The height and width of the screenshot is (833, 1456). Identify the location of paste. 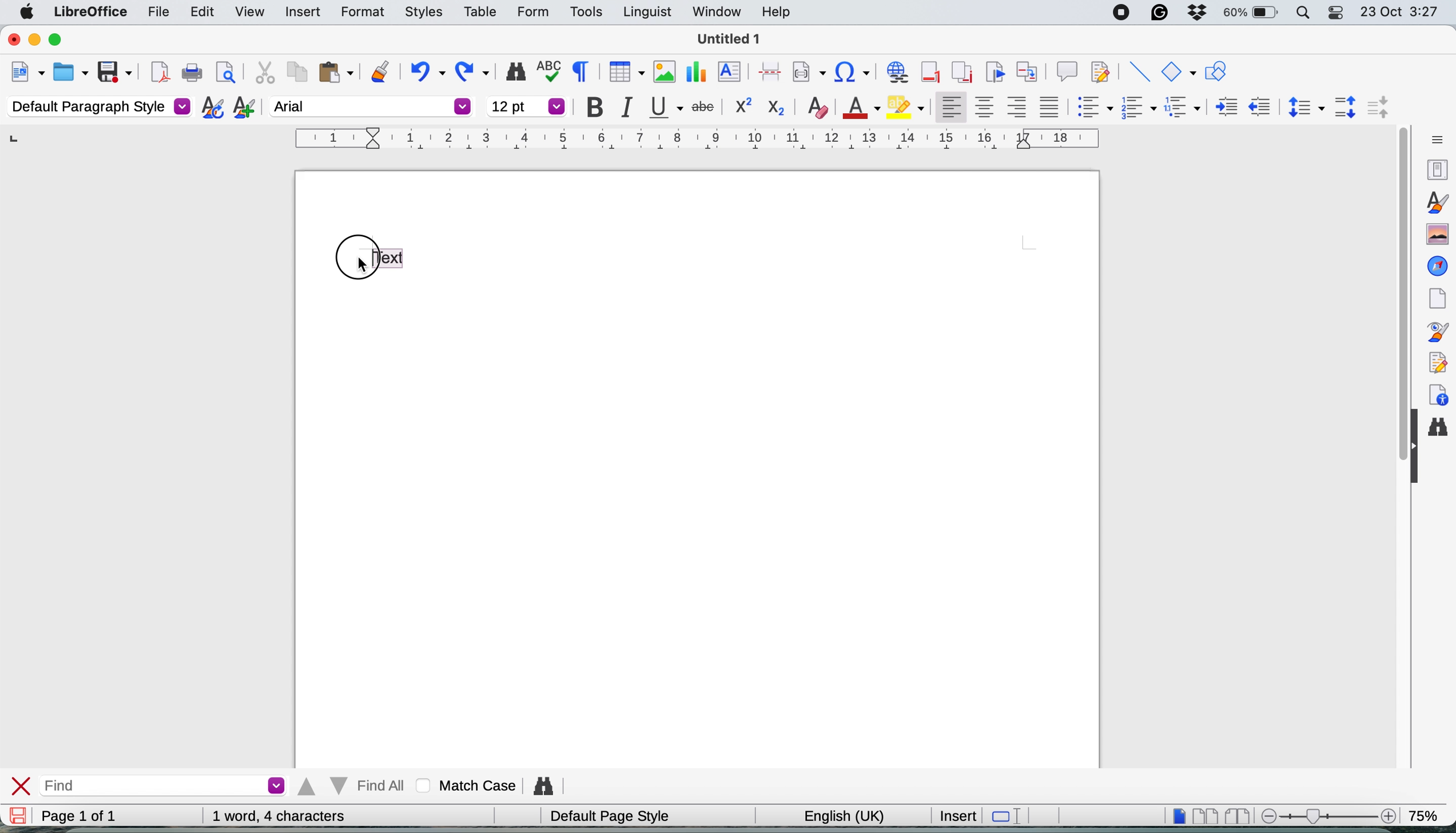
(335, 72).